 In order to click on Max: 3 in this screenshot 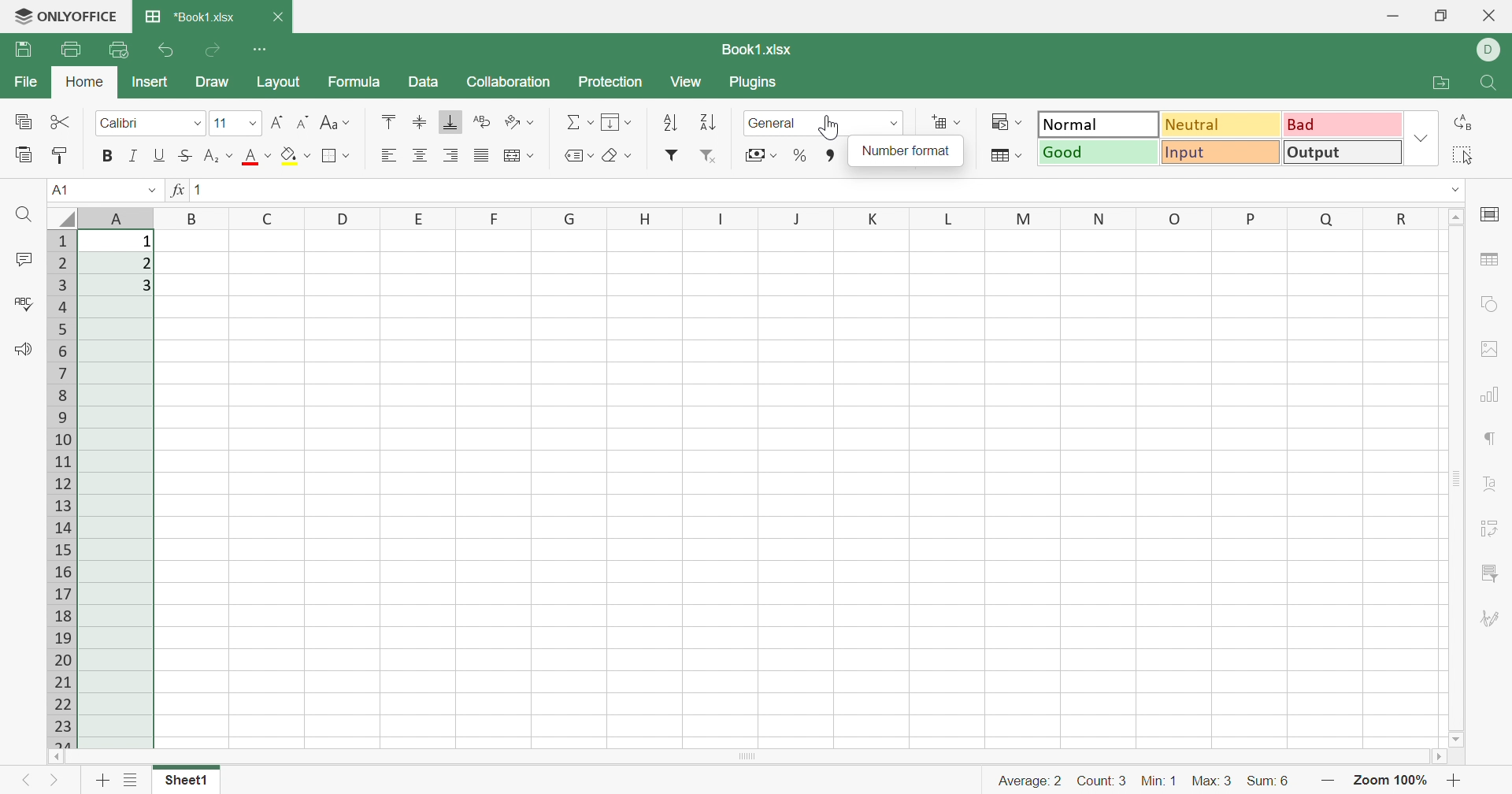, I will do `click(1213, 783)`.